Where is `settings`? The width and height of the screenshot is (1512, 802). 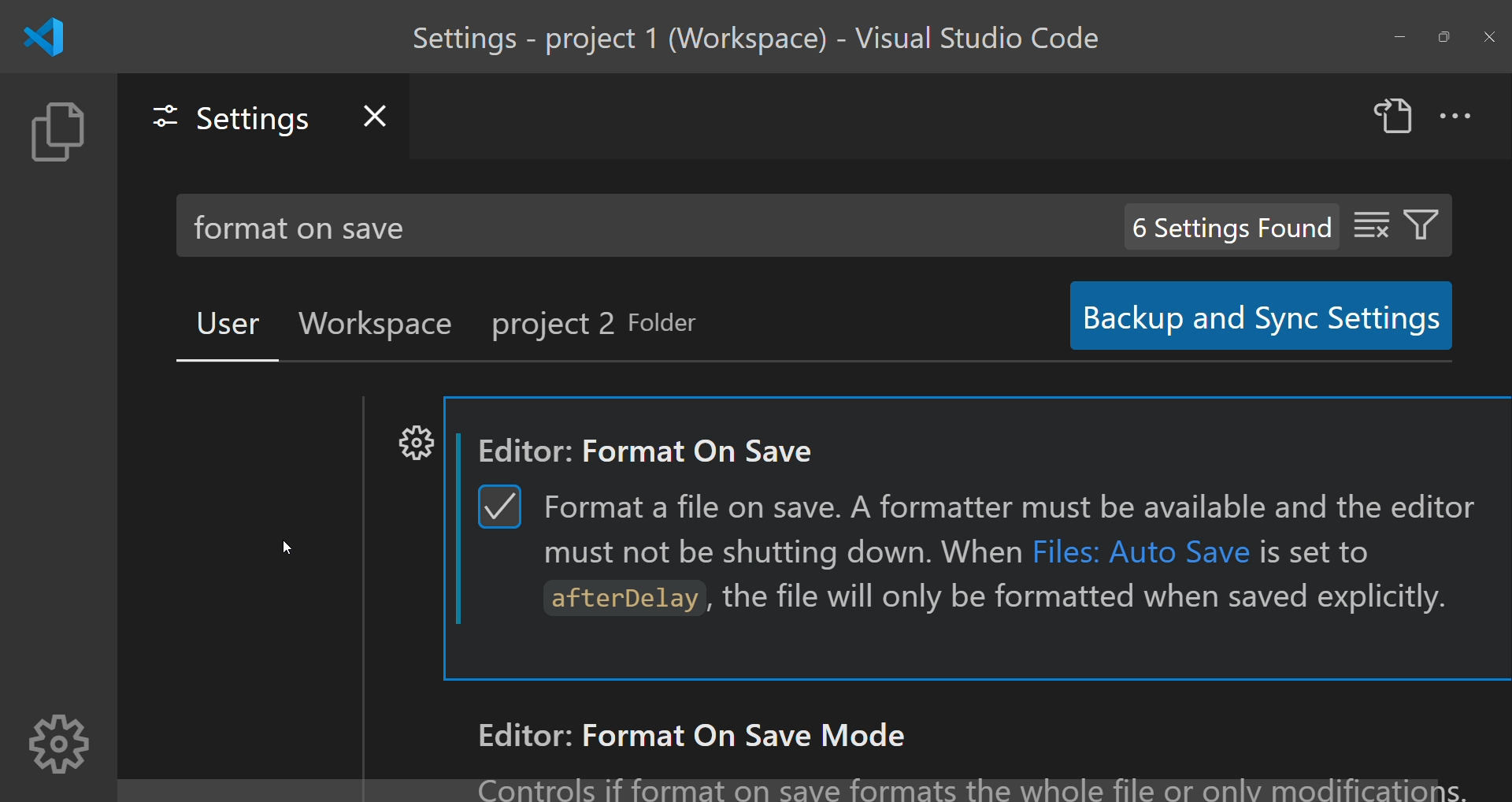
settings is located at coordinates (417, 440).